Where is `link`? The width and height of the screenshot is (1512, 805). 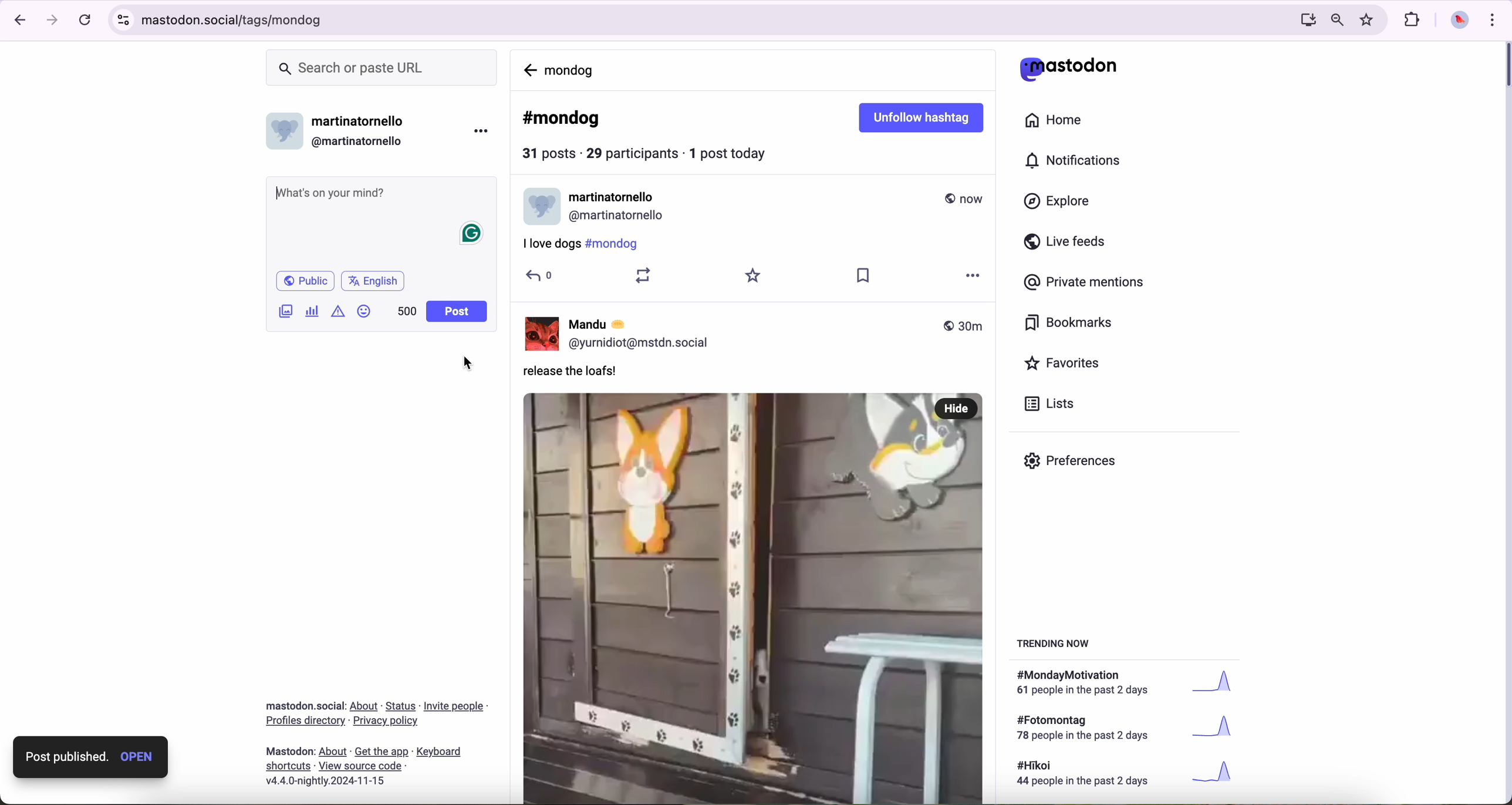 link is located at coordinates (360, 765).